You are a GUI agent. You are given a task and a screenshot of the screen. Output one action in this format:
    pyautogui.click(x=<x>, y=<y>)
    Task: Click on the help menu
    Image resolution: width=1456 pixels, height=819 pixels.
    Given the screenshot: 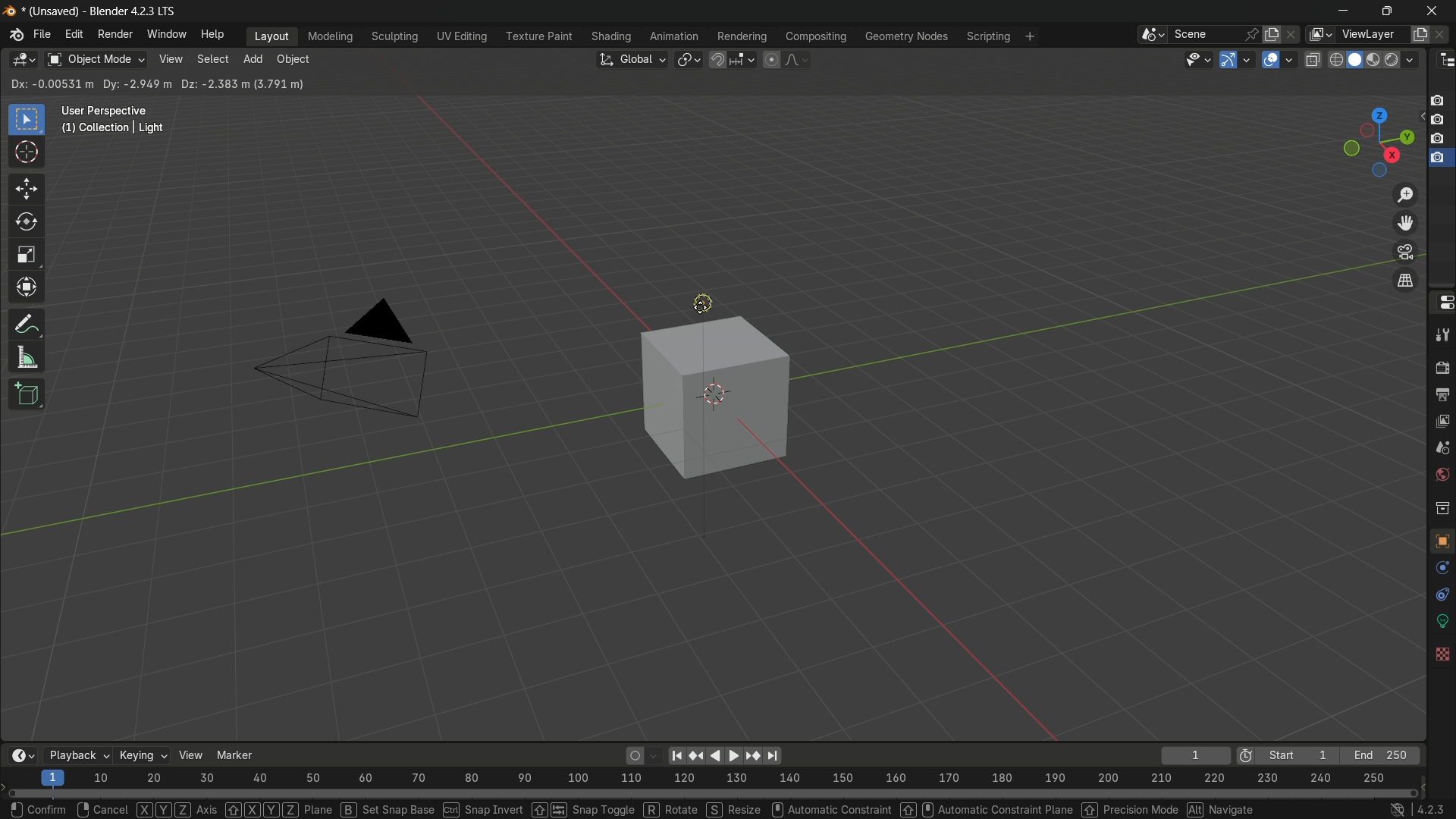 What is the action you would take?
    pyautogui.click(x=212, y=33)
    